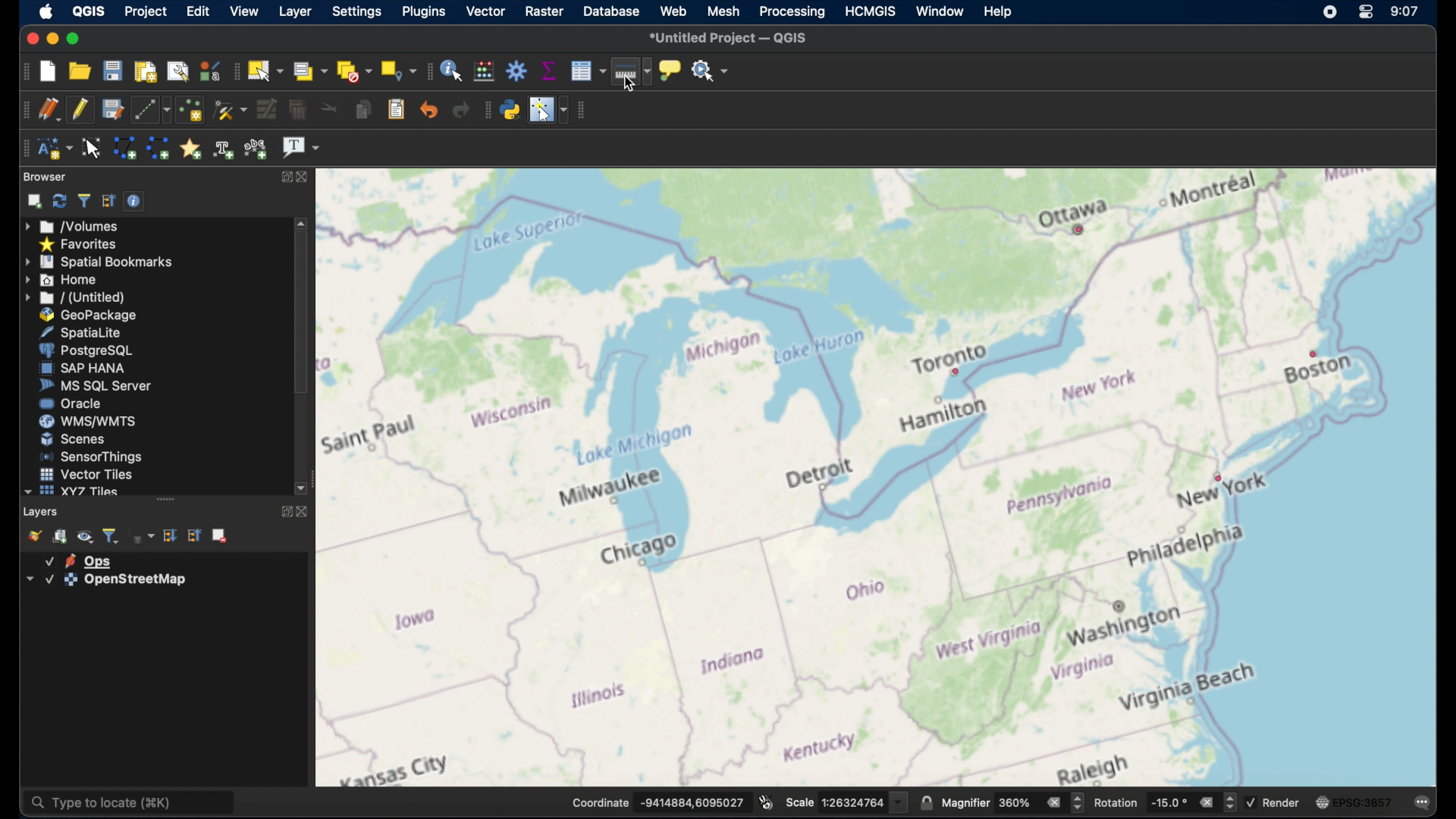  I want to click on maximize, so click(284, 513).